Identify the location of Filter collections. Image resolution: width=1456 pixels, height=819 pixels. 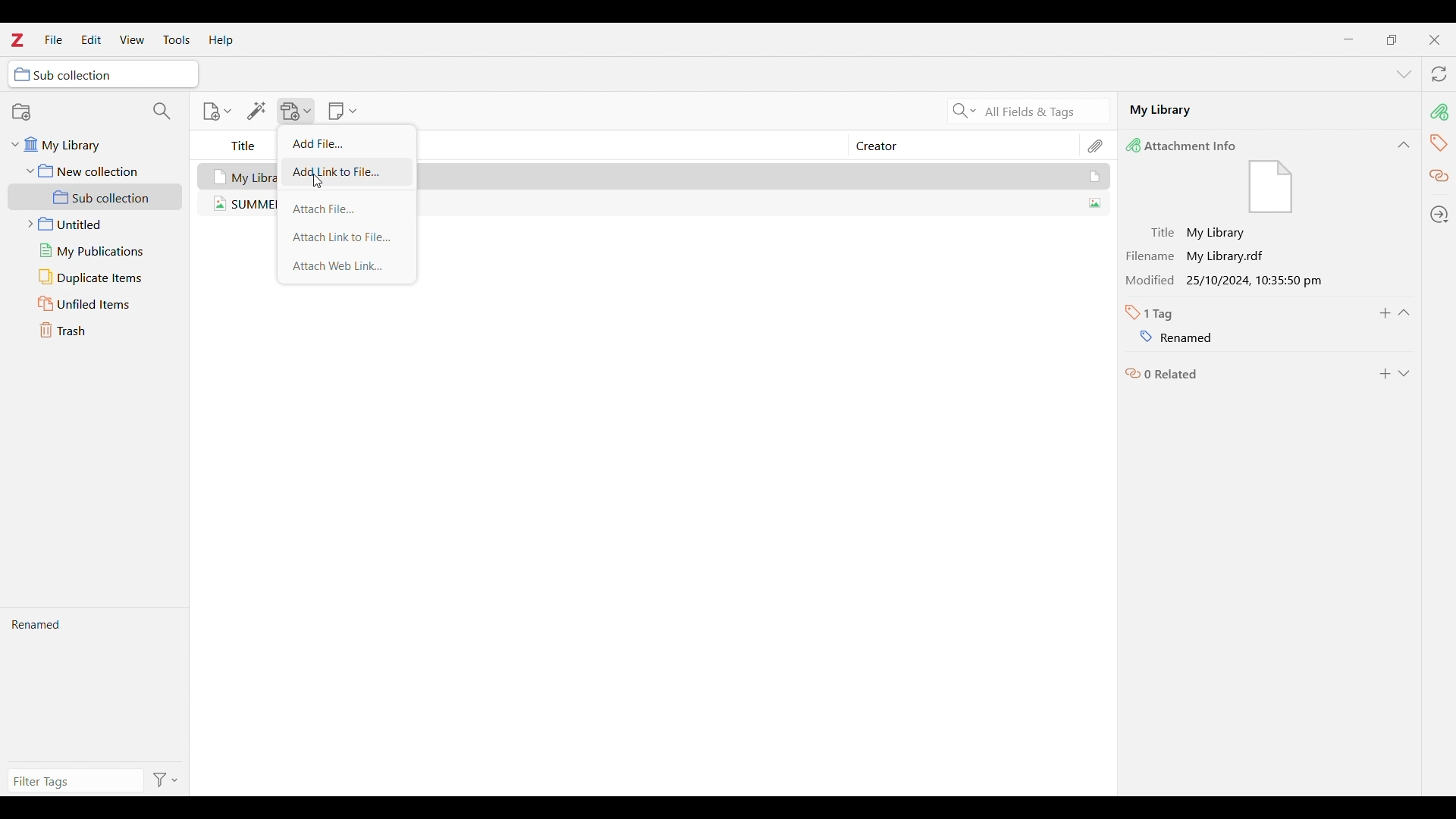
(162, 111).